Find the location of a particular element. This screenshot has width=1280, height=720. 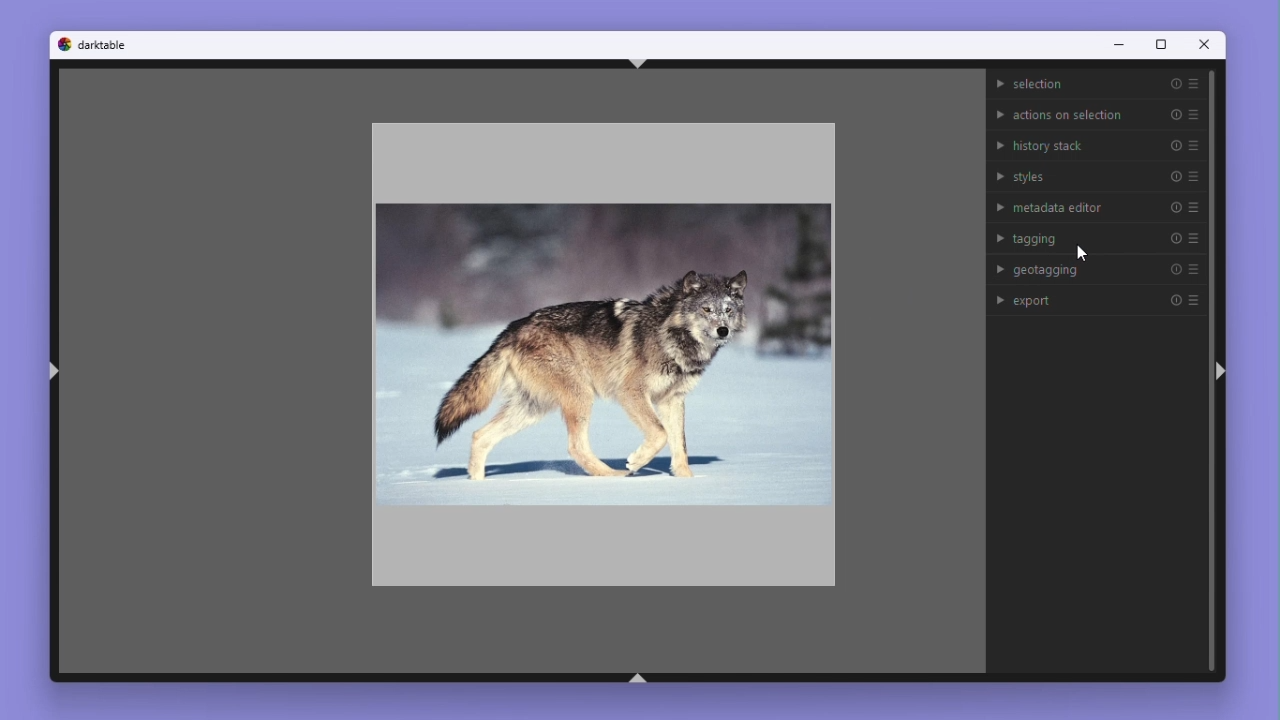

Tagging is located at coordinates (1099, 237).